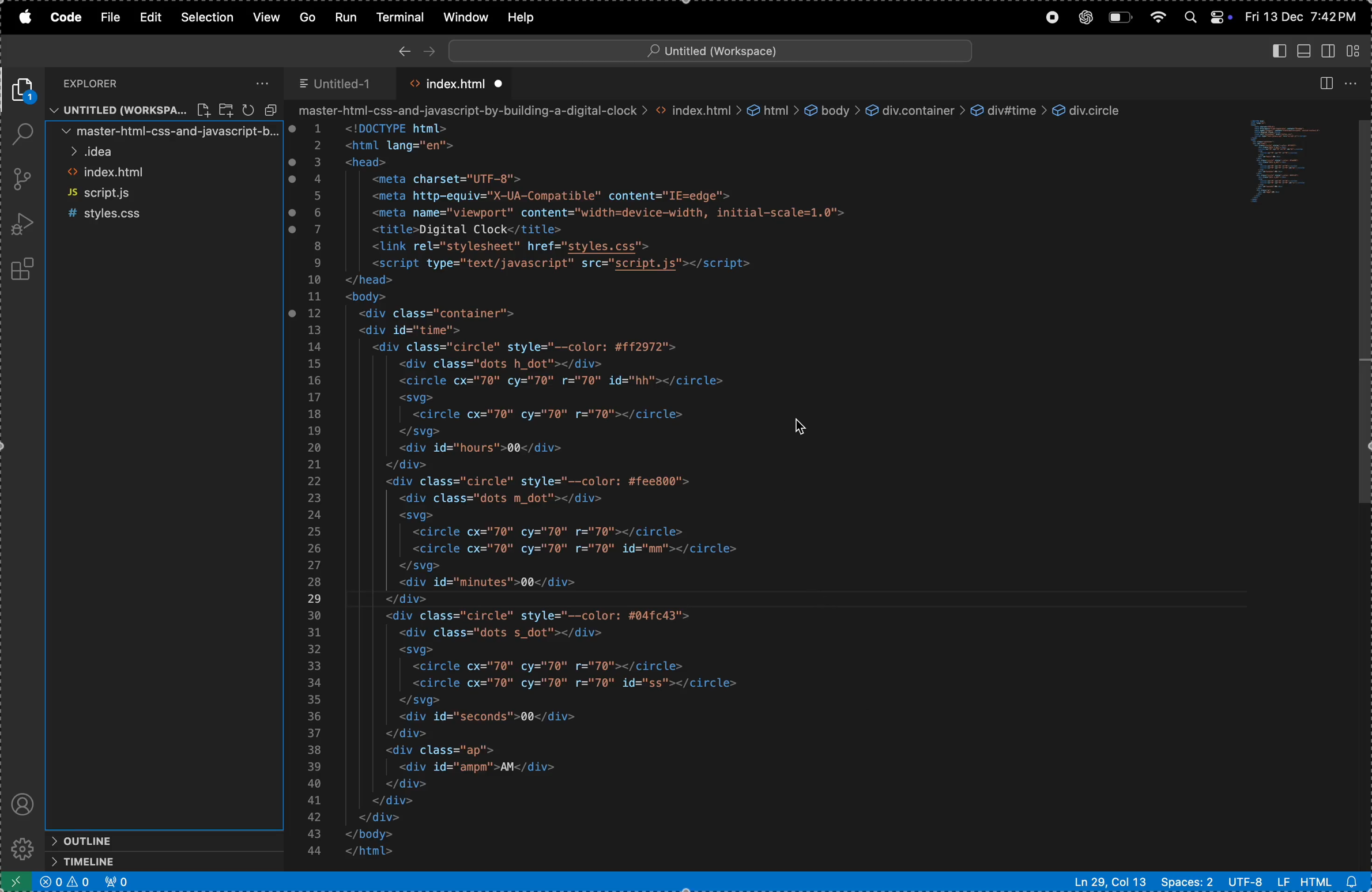 This screenshot has height=892, width=1372. What do you see at coordinates (310, 17) in the screenshot?
I see `Go` at bounding box center [310, 17].